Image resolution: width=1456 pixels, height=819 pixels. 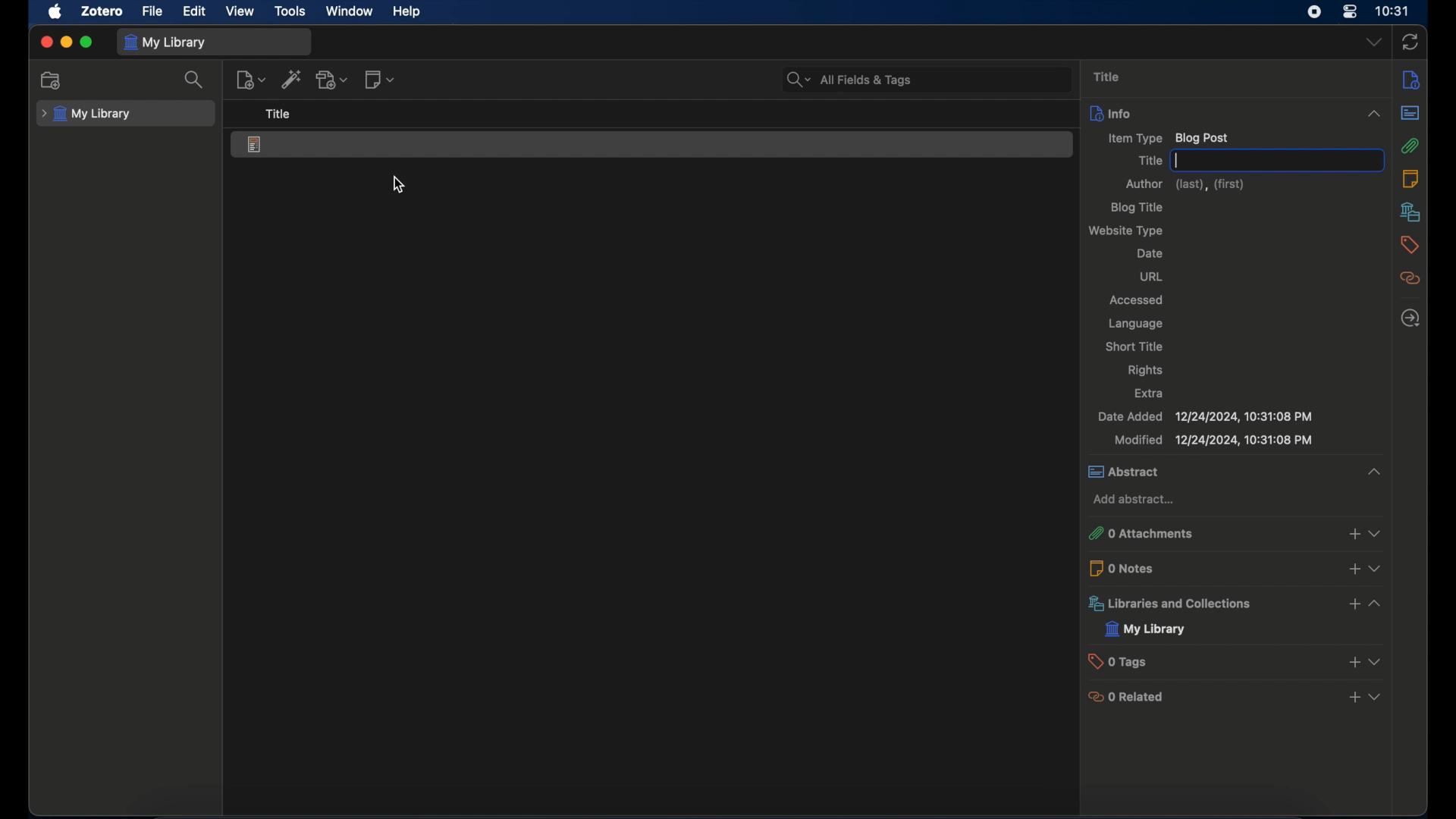 What do you see at coordinates (1410, 212) in the screenshot?
I see `libraries` at bounding box center [1410, 212].